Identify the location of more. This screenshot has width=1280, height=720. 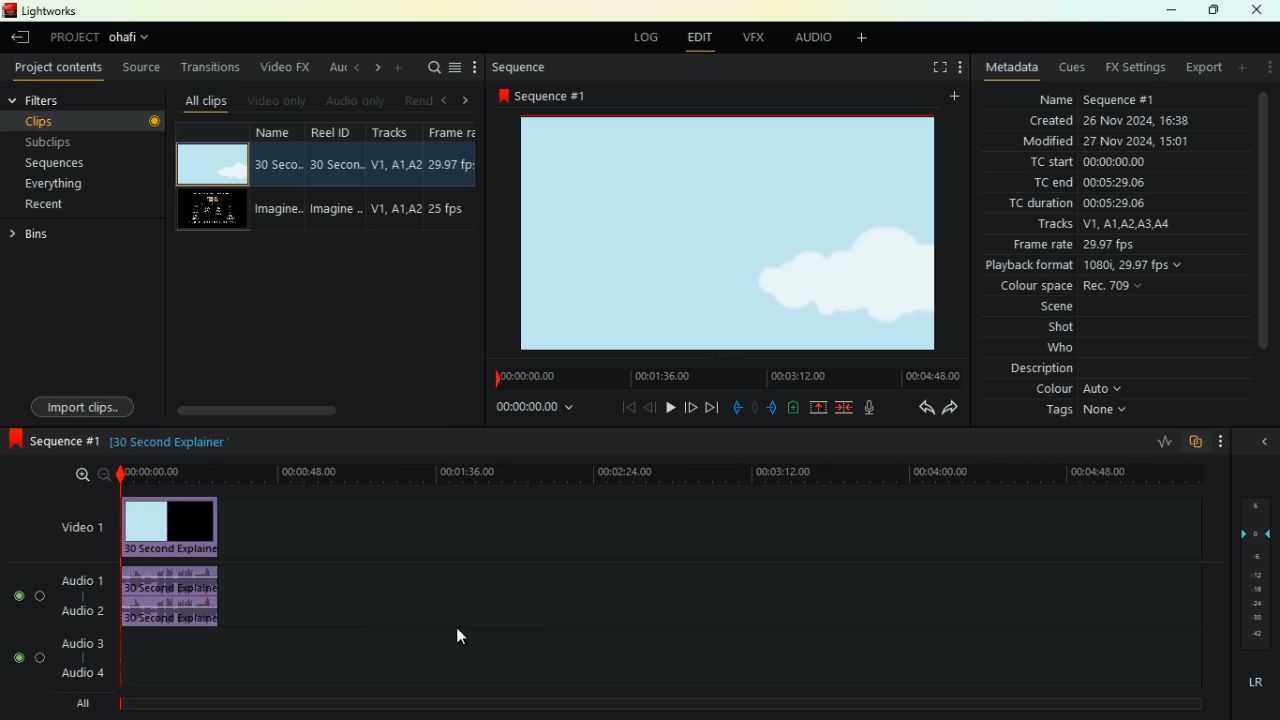
(1222, 440).